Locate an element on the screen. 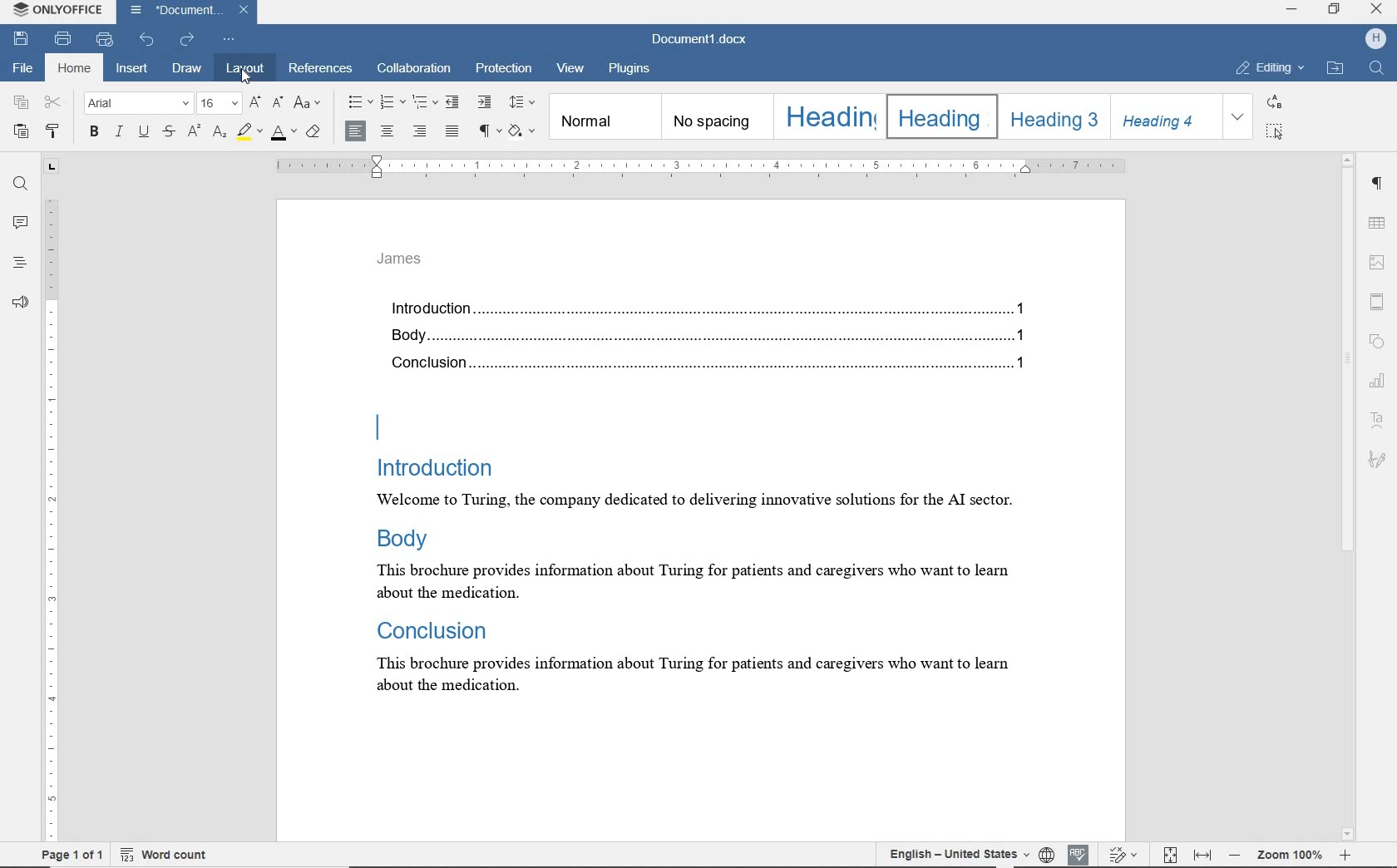  SELECT ALL is located at coordinates (1273, 133).